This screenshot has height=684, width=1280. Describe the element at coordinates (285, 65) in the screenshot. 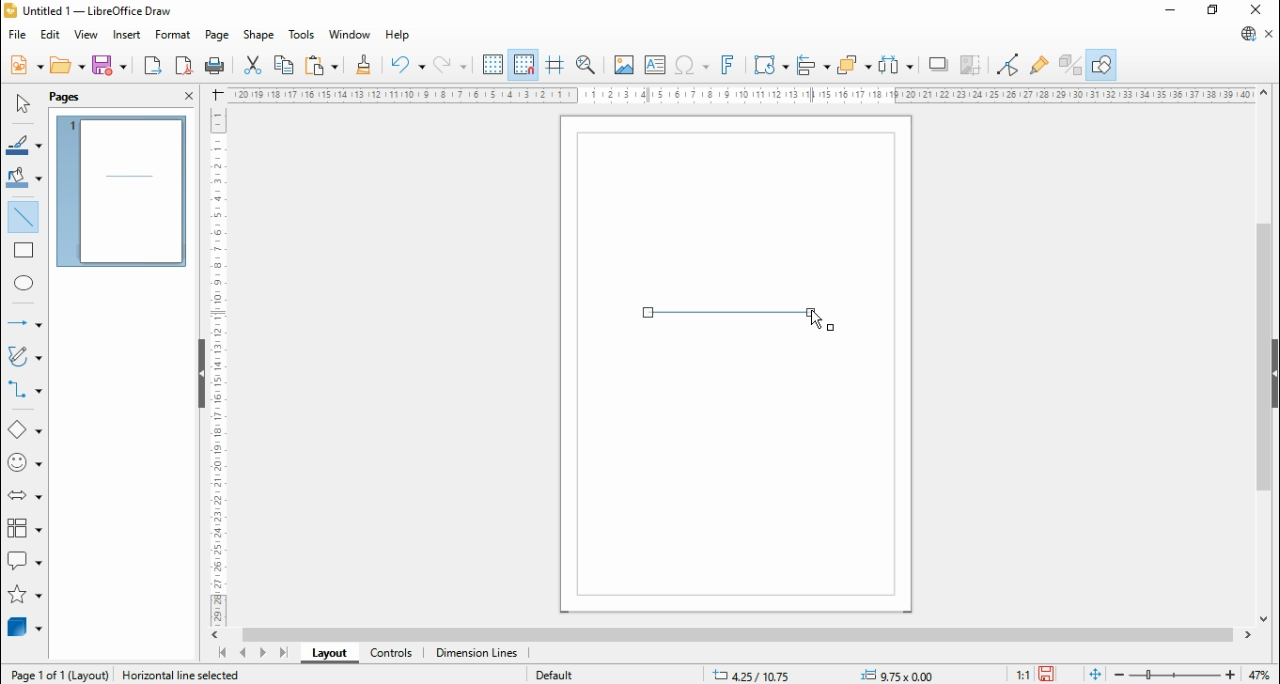

I see `copy` at that location.